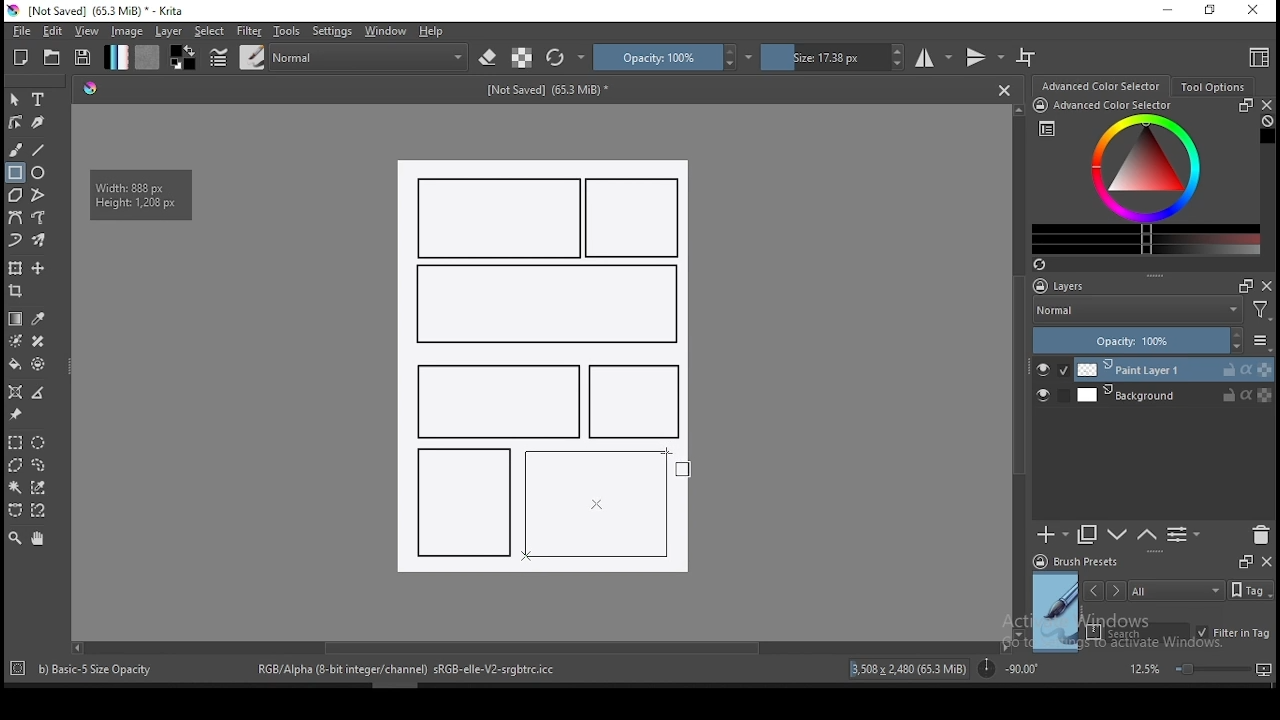 The image size is (1280, 720). Describe the element at coordinates (435, 32) in the screenshot. I see `help` at that location.